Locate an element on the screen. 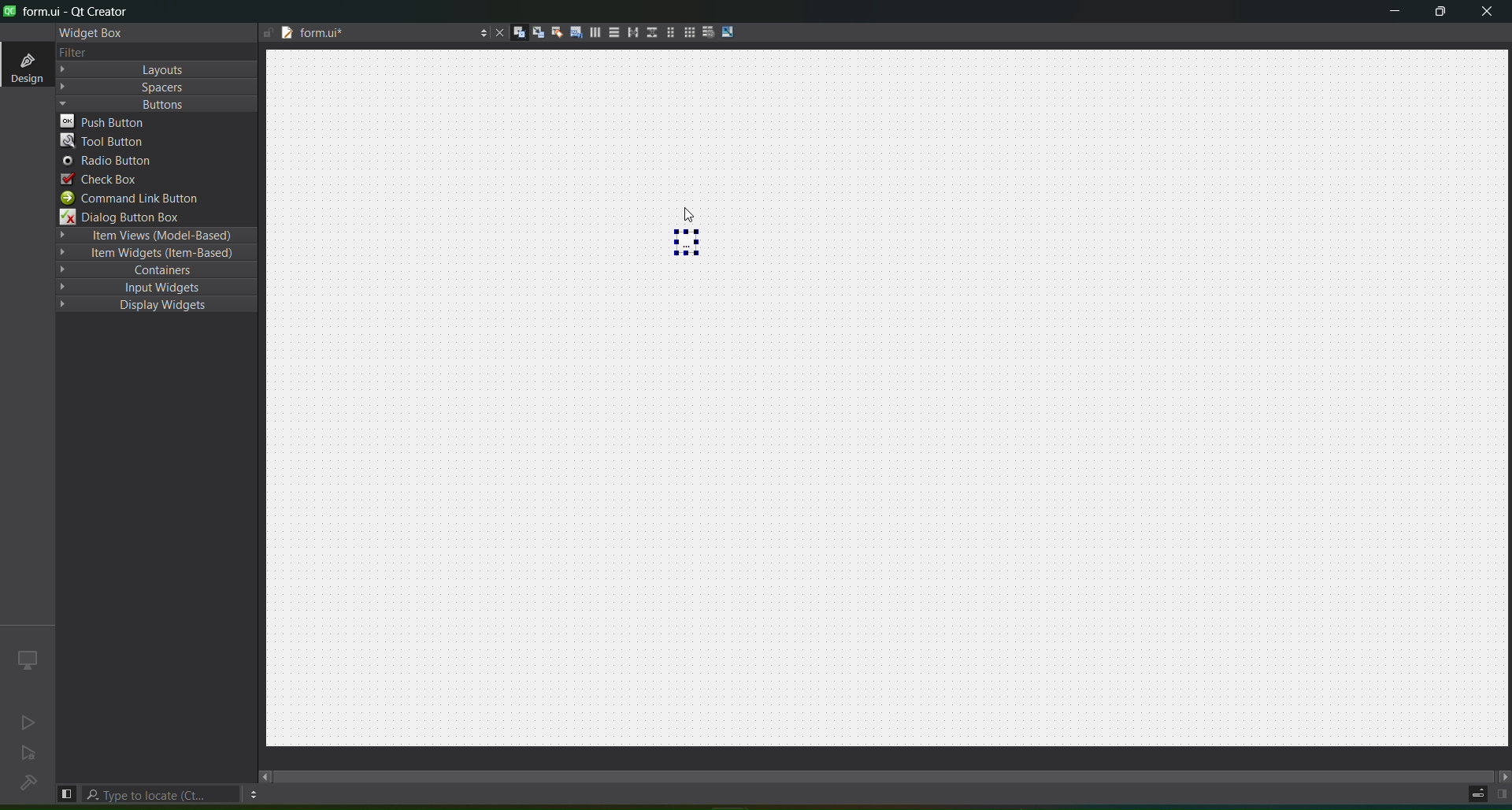 Image resolution: width=1512 pixels, height=810 pixels. Layout in a grid is located at coordinates (688, 32).